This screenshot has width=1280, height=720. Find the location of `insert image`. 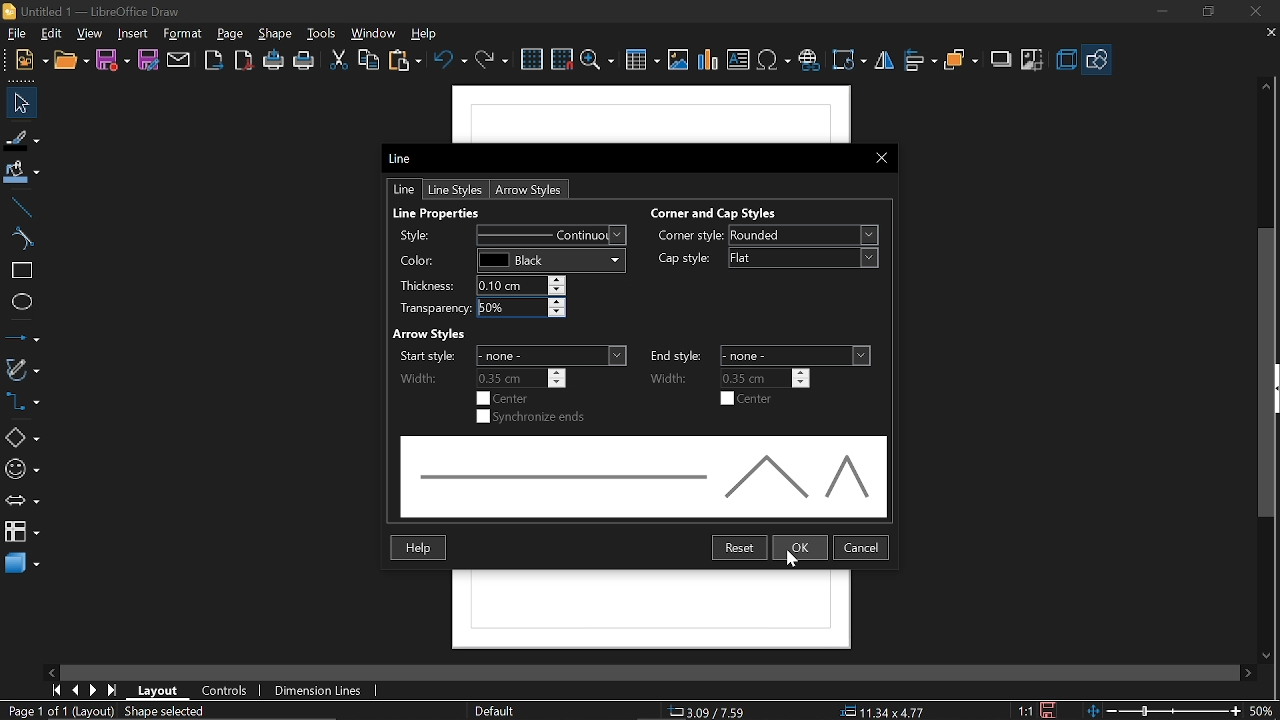

insert image is located at coordinates (677, 58).